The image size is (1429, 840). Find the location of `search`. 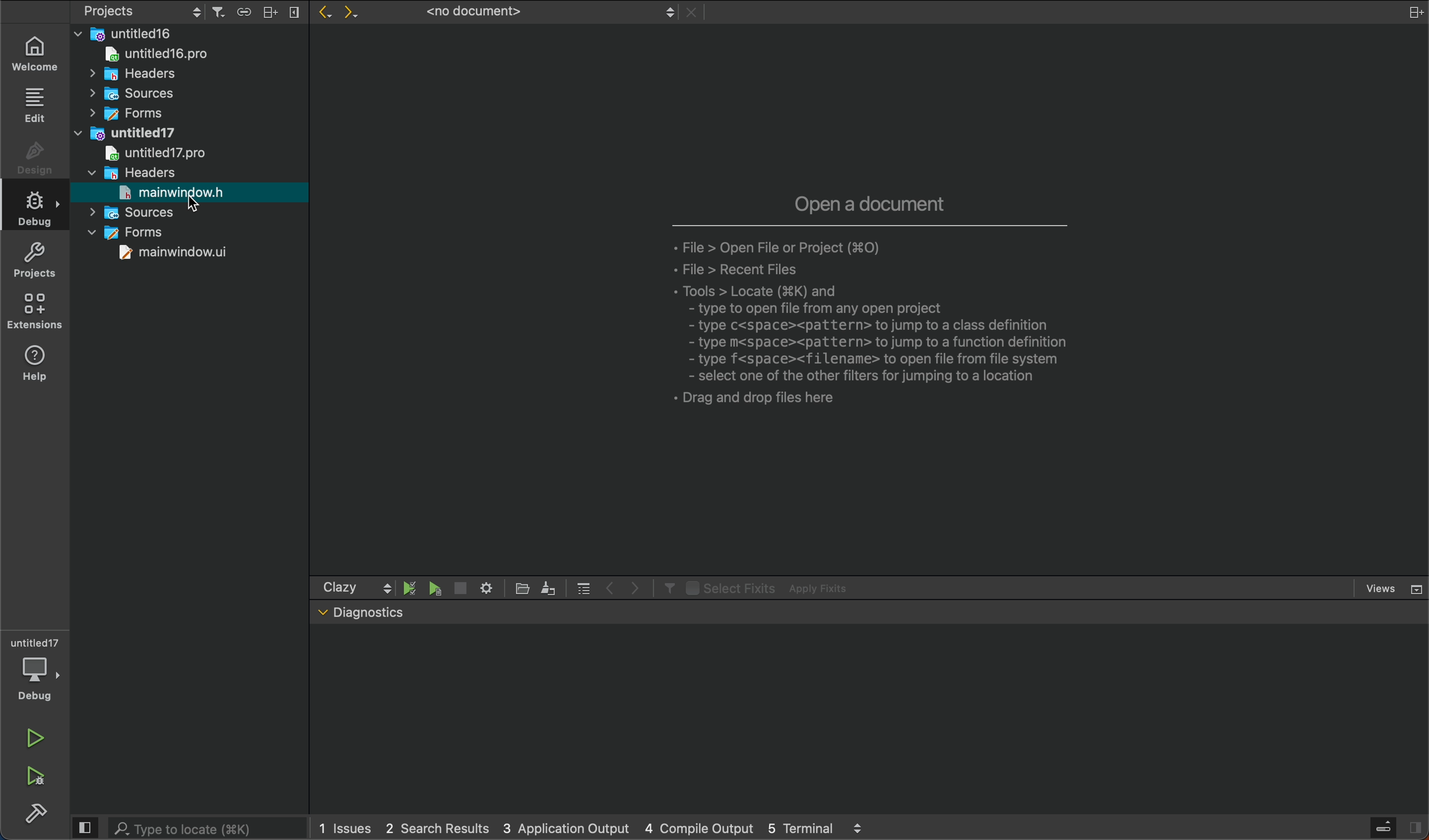

search is located at coordinates (185, 826).